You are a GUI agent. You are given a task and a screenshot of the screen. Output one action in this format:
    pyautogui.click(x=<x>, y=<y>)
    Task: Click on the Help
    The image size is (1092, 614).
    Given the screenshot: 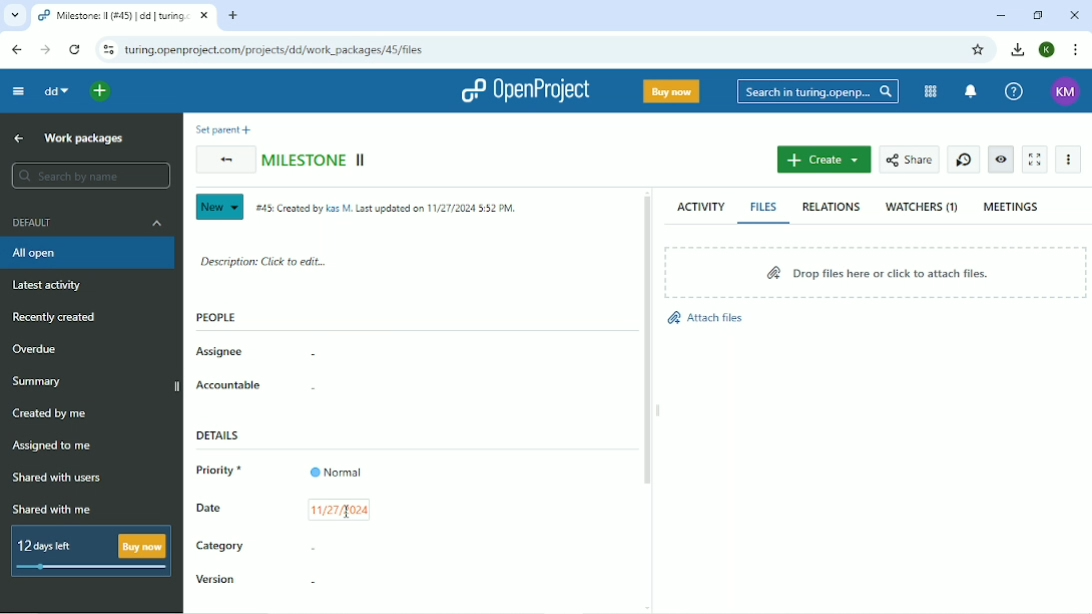 What is the action you would take?
    pyautogui.click(x=1013, y=92)
    